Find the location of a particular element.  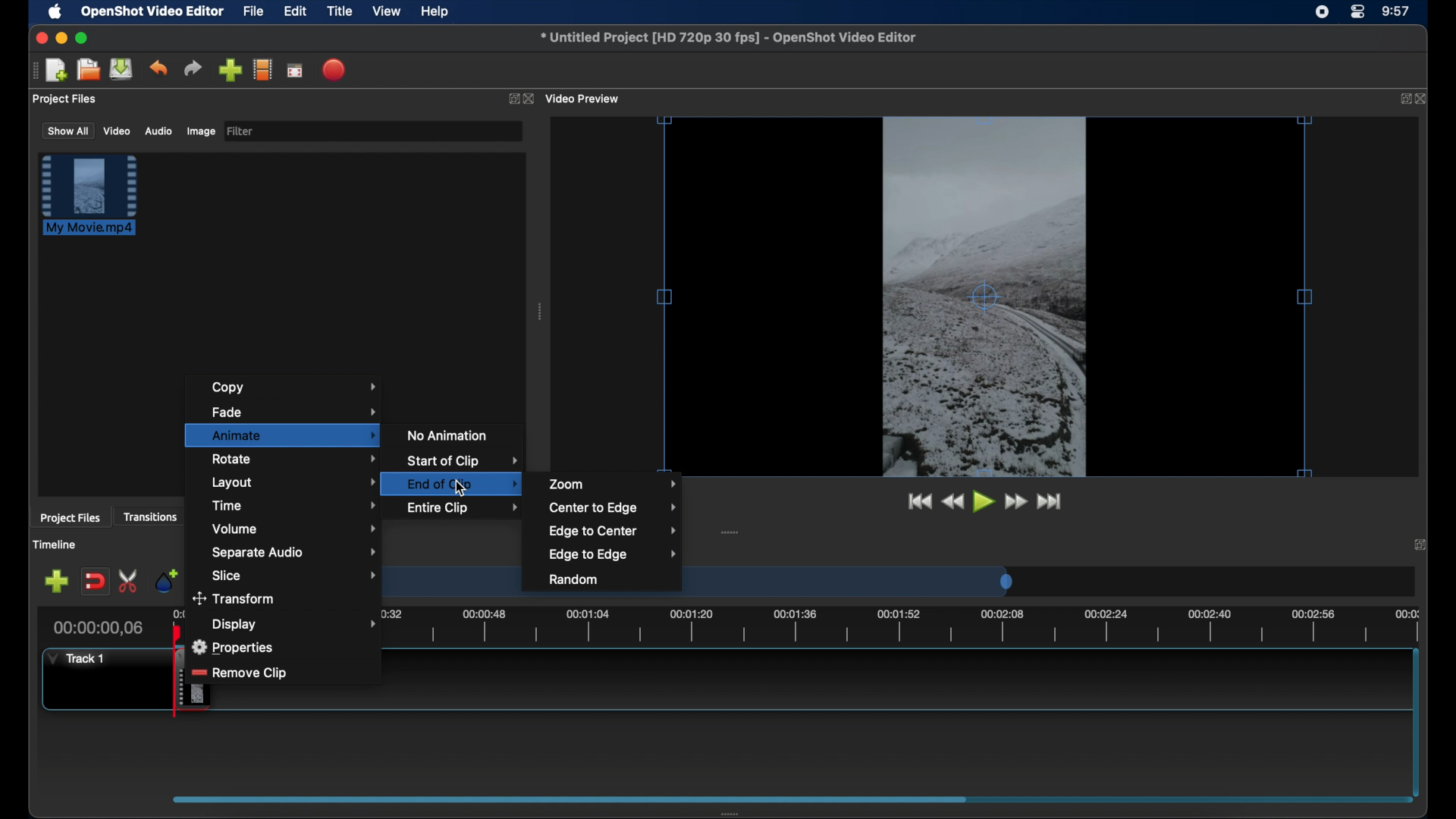

random is located at coordinates (575, 580).